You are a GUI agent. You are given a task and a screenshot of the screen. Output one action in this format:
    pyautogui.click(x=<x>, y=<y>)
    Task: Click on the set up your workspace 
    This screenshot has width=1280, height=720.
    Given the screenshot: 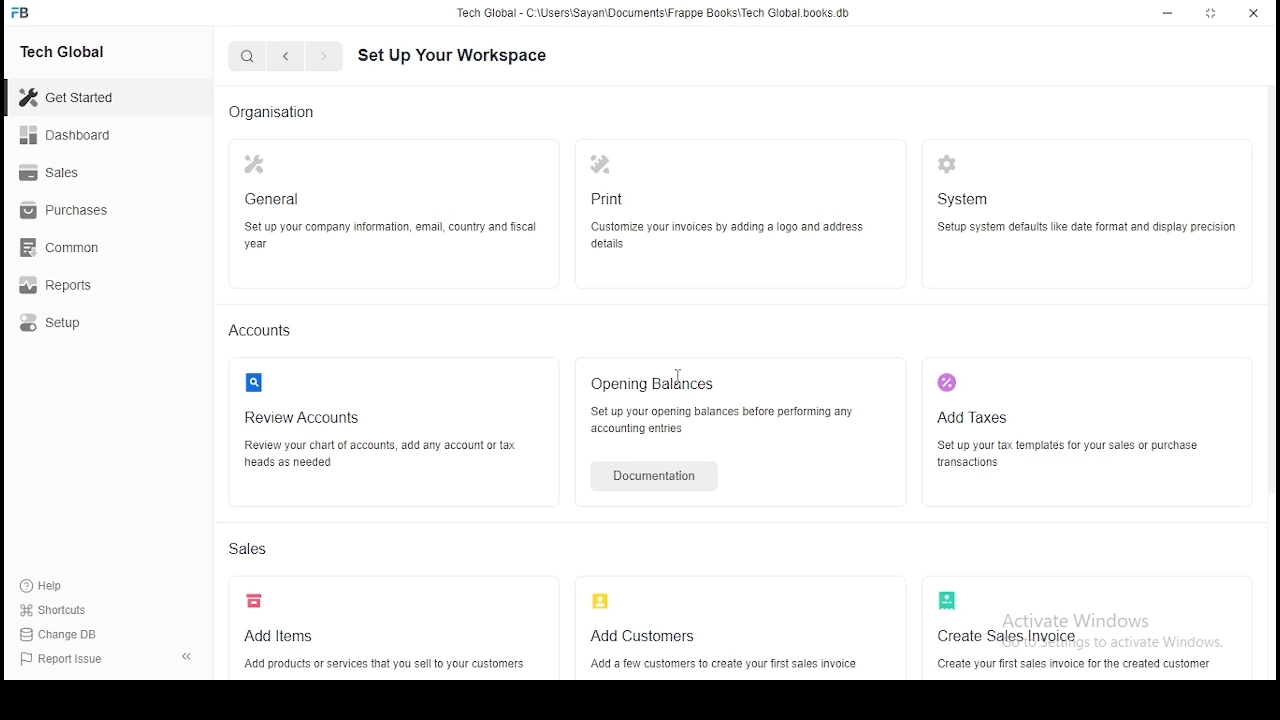 What is the action you would take?
    pyautogui.click(x=470, y=56)
    